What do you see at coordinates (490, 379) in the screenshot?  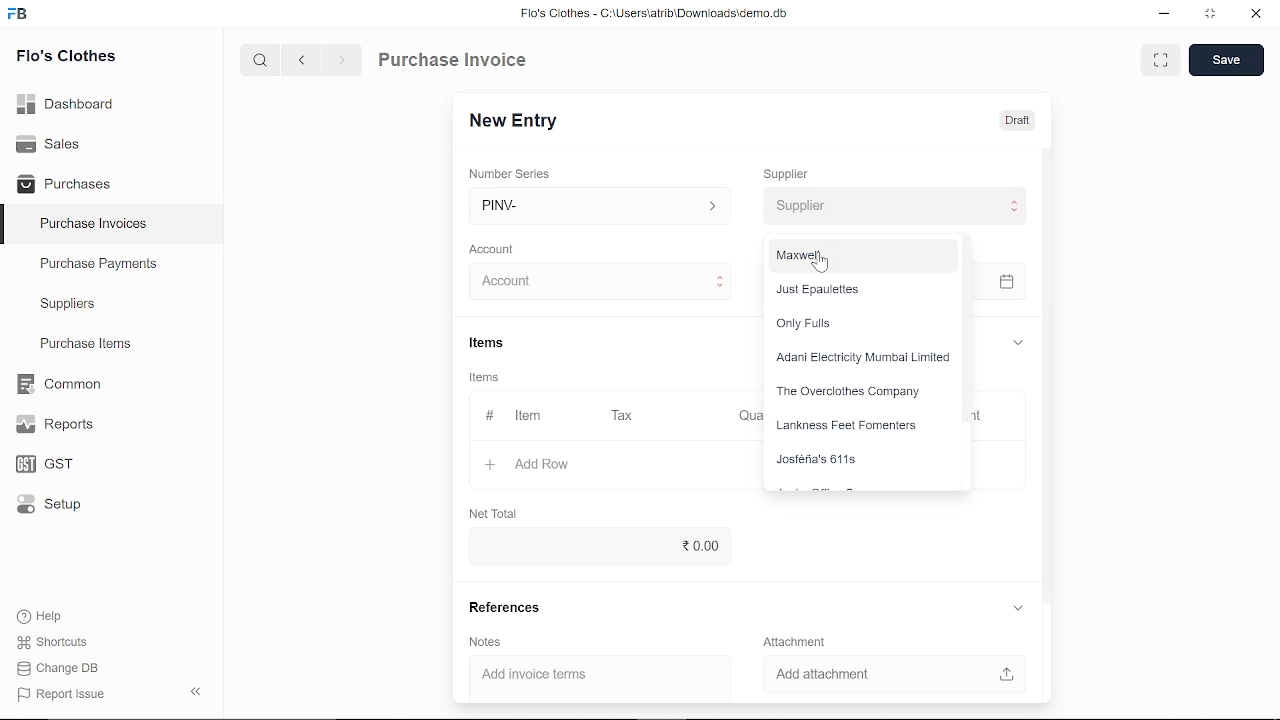 I see `Items` at bounding box center [490, 379].